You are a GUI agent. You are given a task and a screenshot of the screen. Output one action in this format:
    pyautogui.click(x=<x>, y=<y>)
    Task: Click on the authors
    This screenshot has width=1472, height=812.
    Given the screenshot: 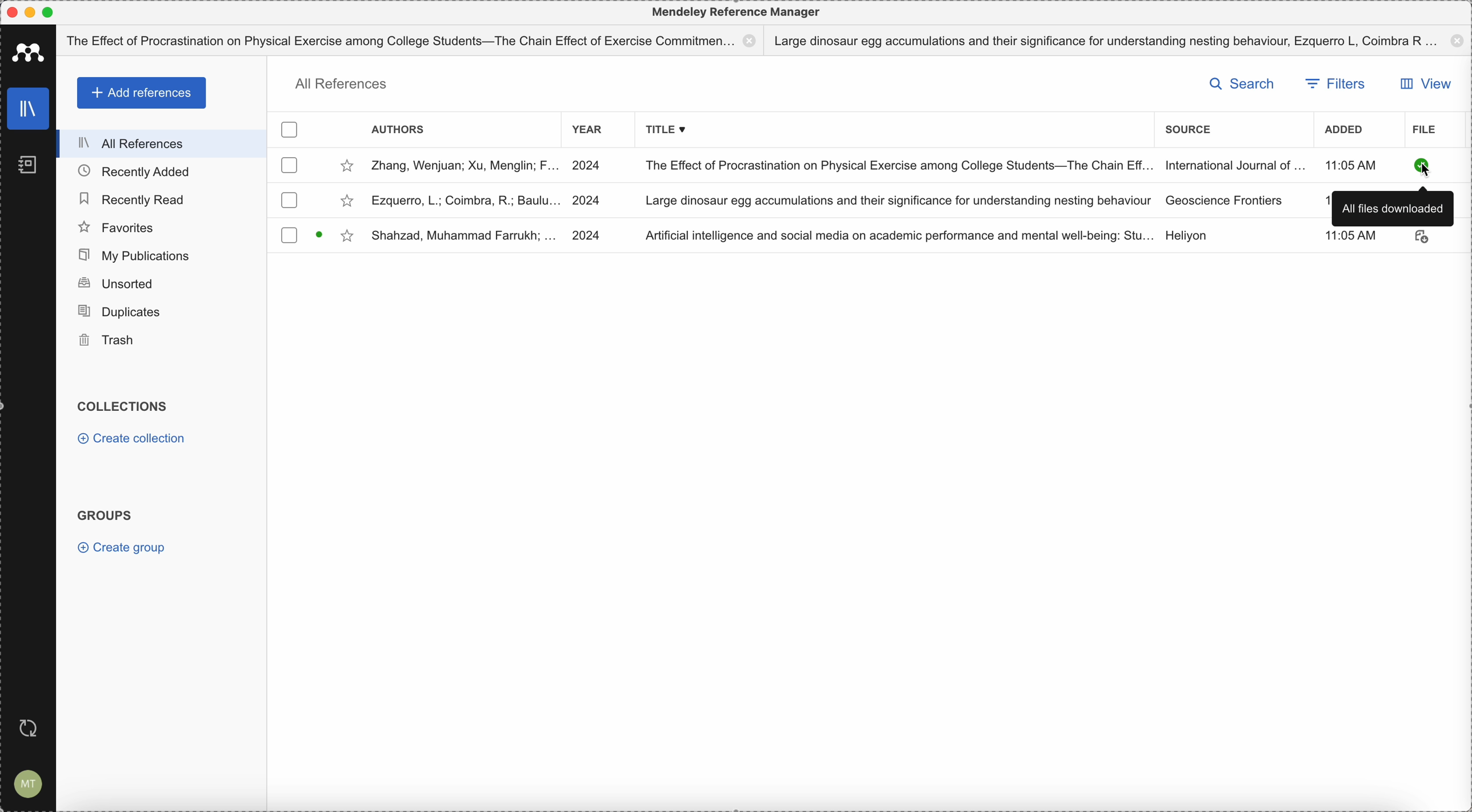 What is the action you would take?
    pyautogui.click(x=391, y=131)
    